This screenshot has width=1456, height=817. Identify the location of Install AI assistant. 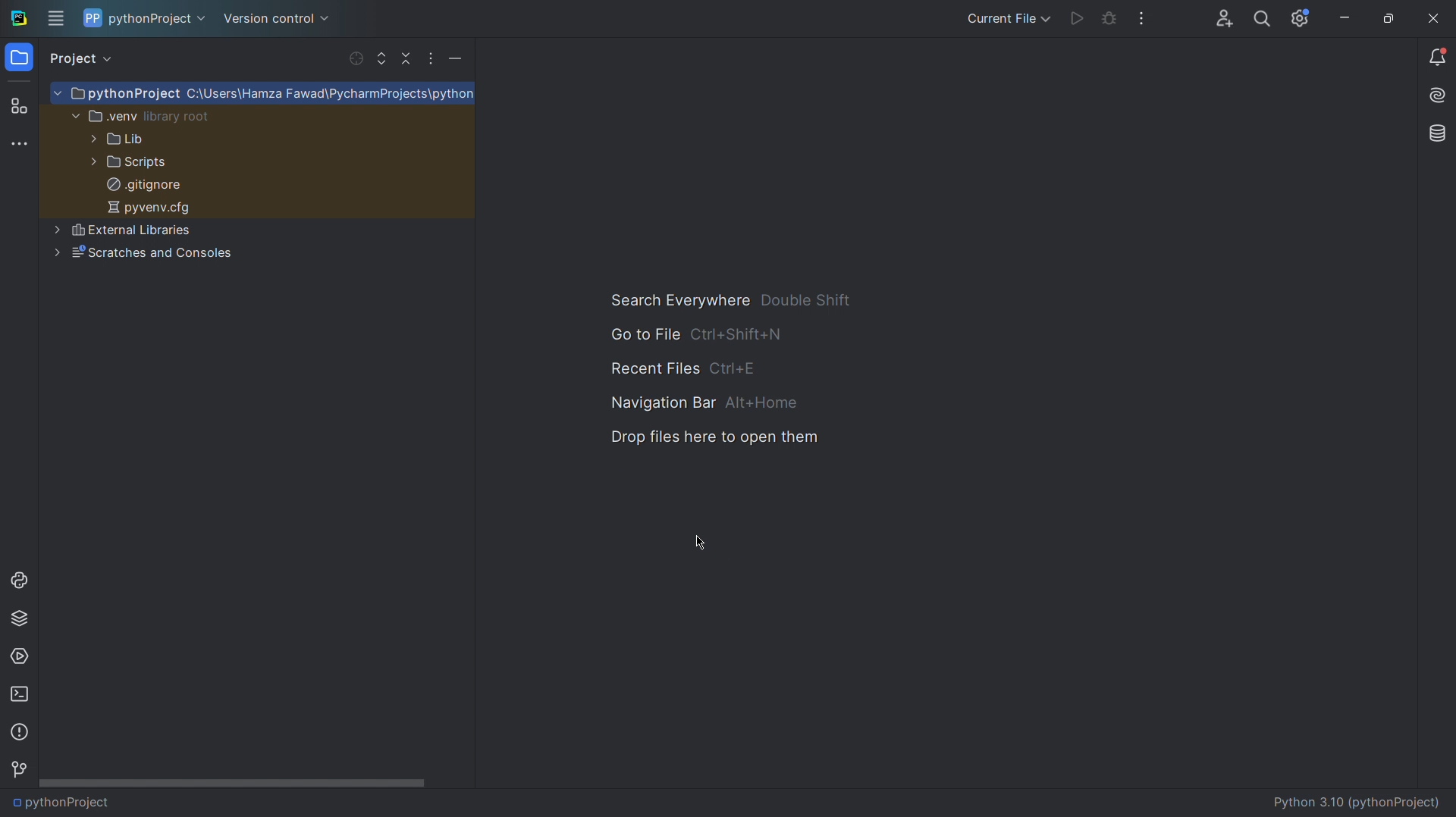
(1436, 98).